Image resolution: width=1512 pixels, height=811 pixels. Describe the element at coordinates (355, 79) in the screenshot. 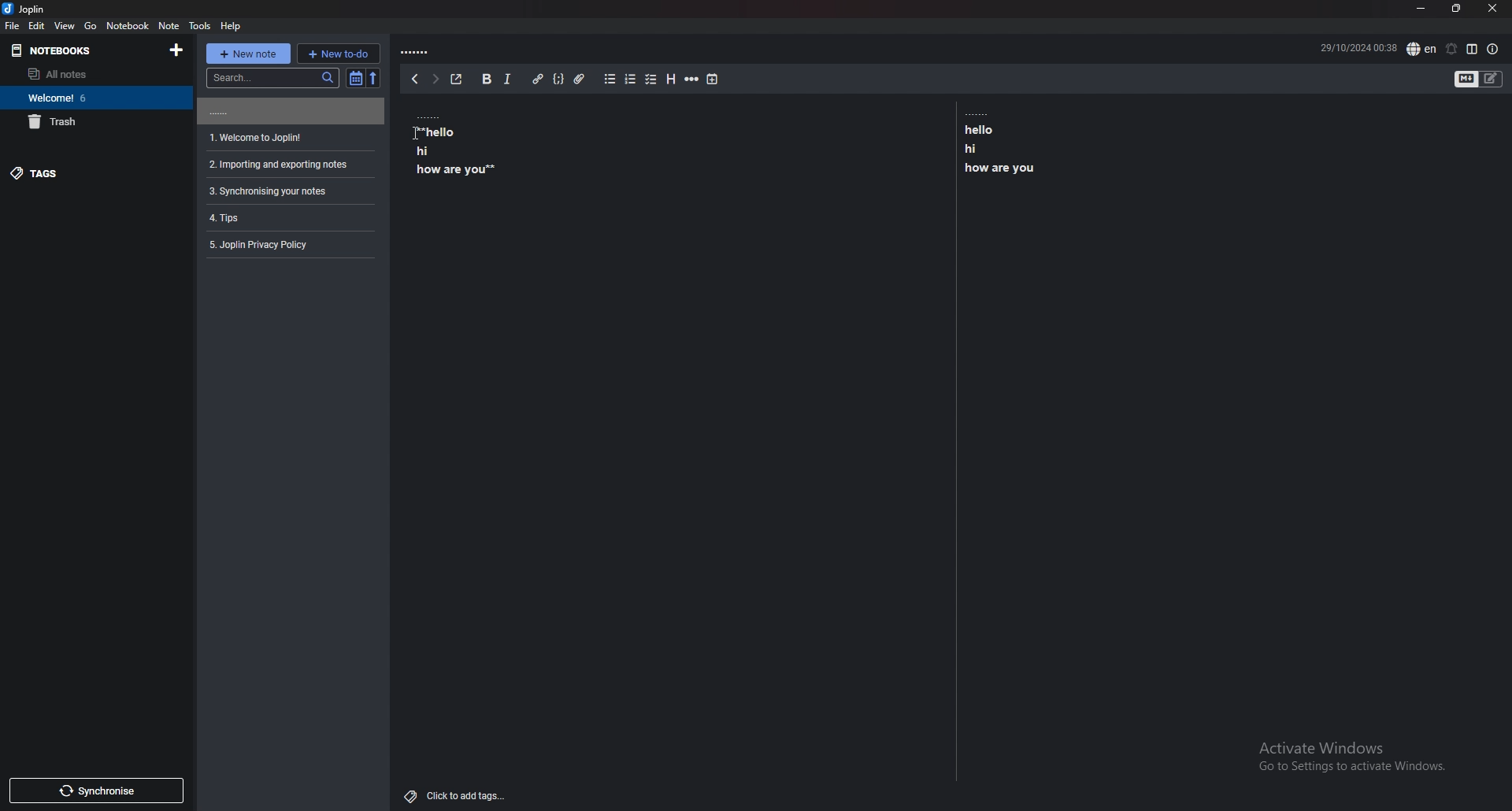

I see `toggle sort order field` at that location.